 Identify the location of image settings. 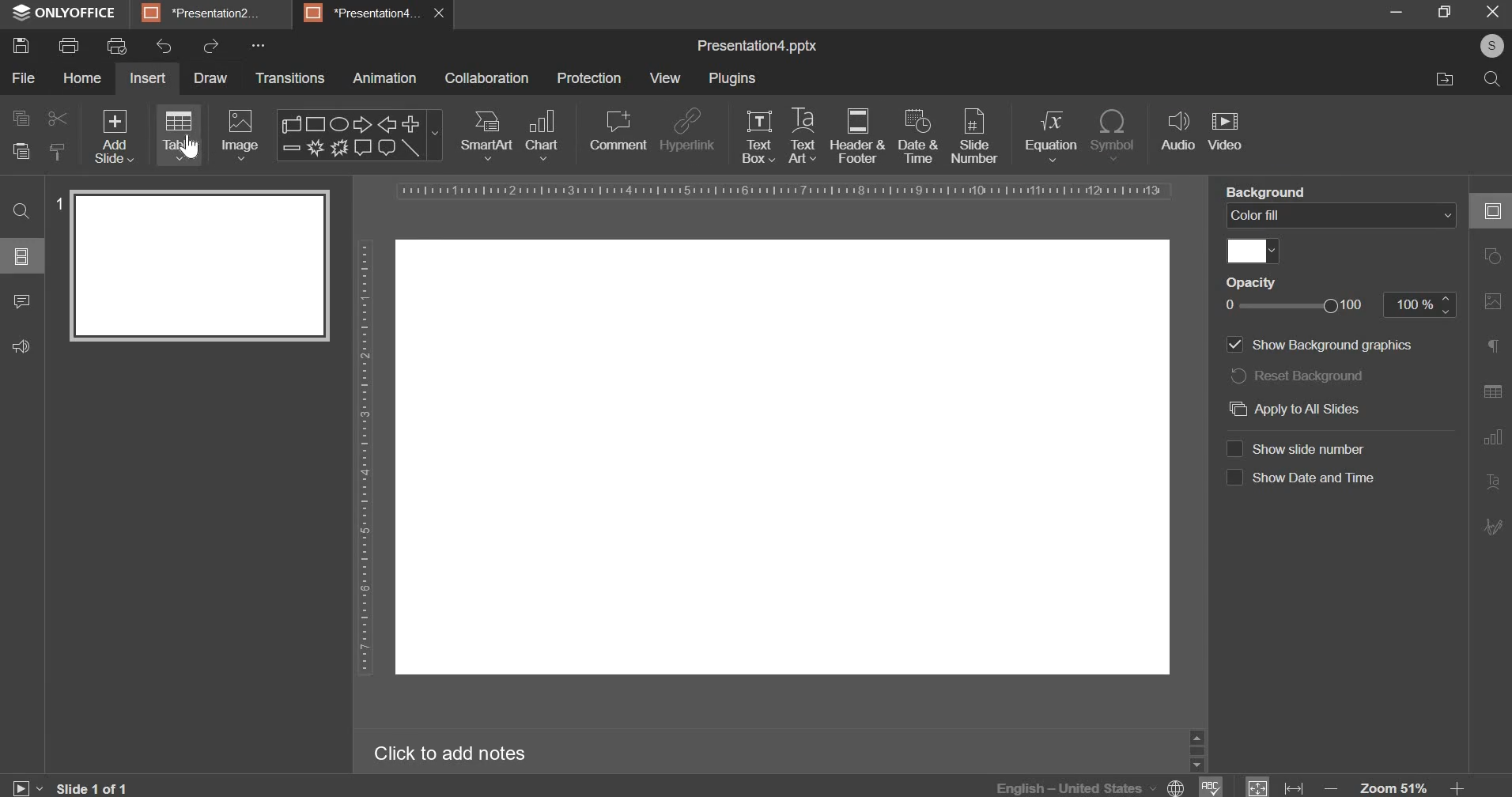
(1493, 302).